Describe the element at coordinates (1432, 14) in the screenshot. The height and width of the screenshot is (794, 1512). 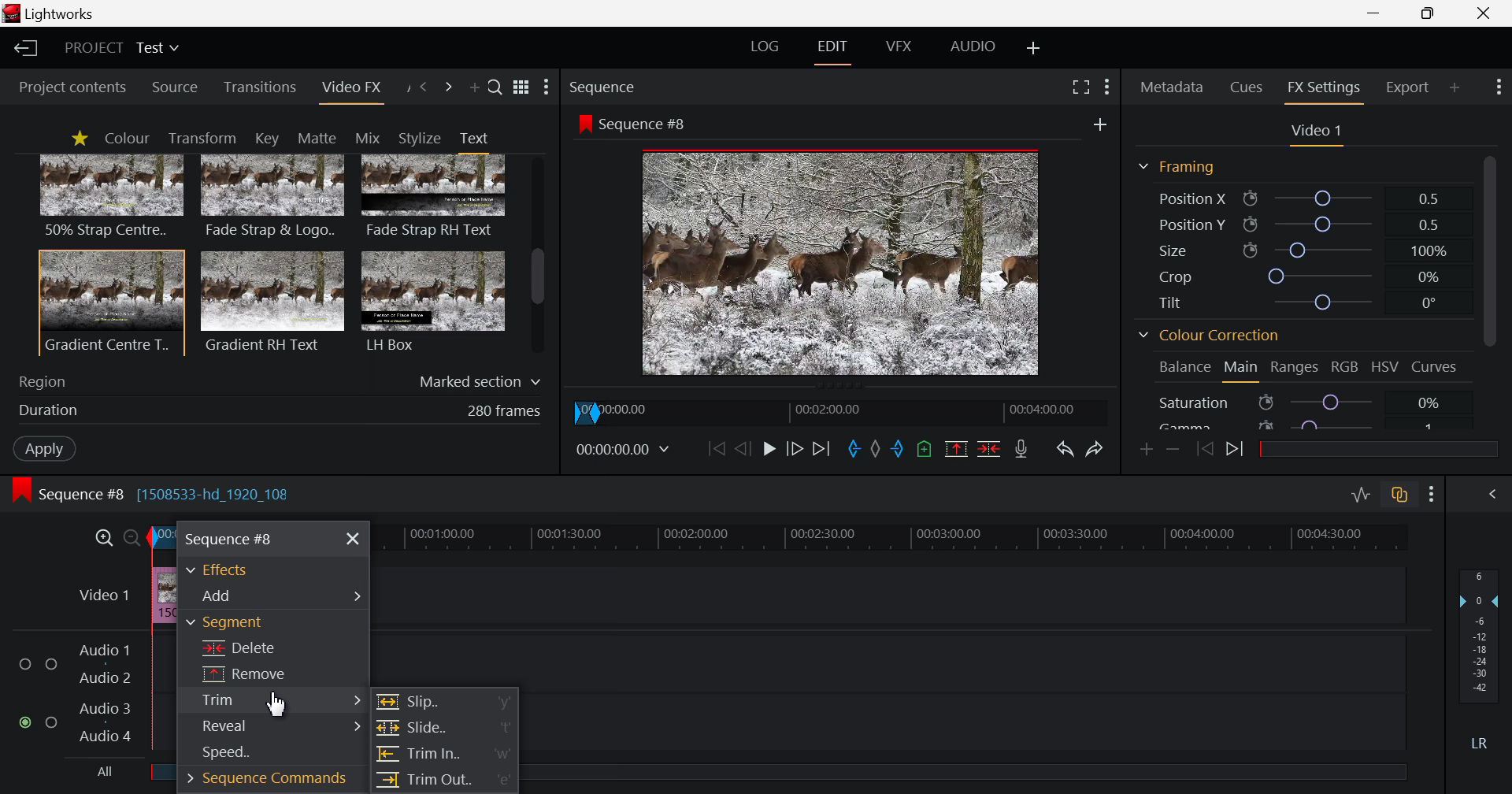
I see `Minimize` at that location.